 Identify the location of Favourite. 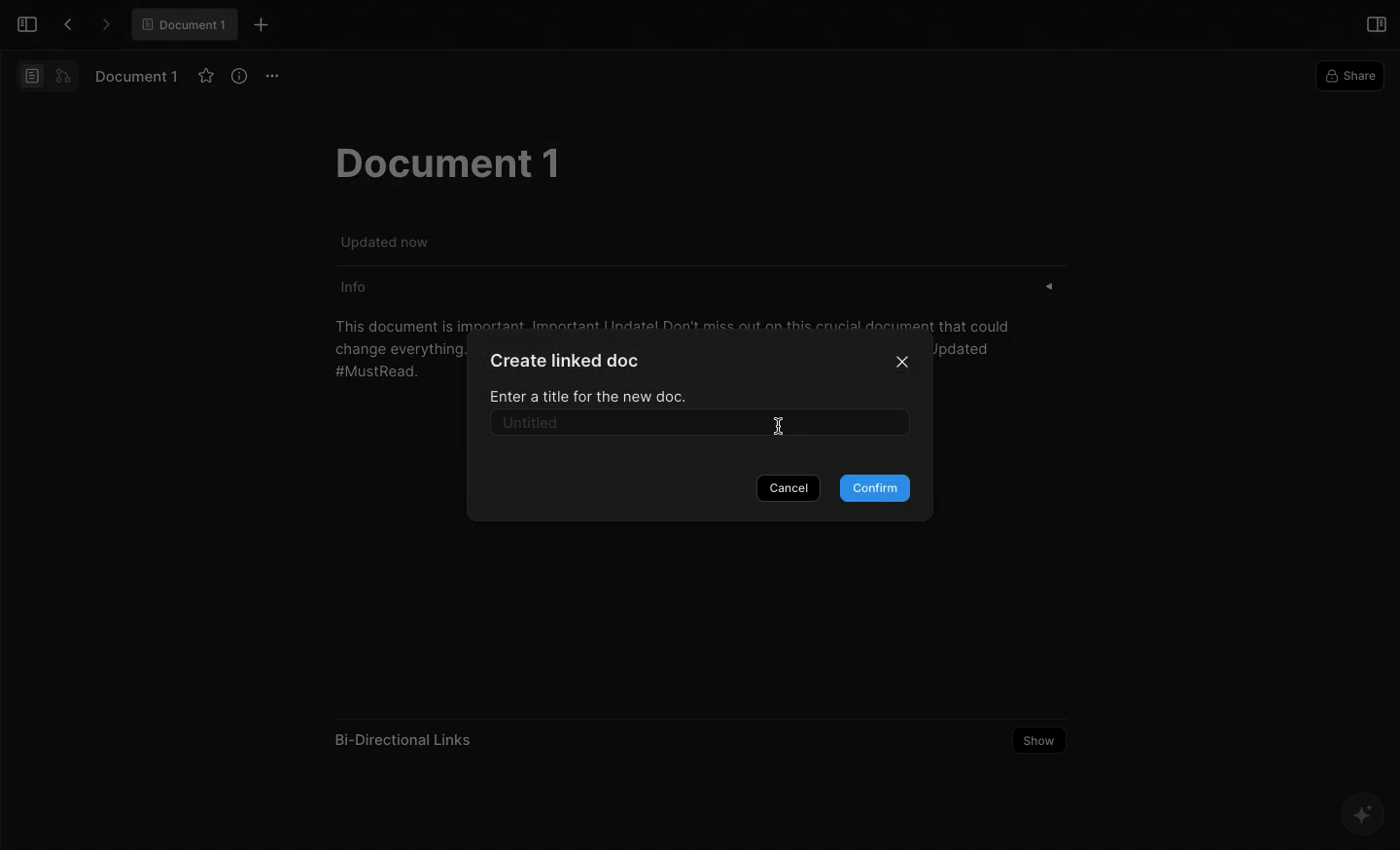
(205, 76).